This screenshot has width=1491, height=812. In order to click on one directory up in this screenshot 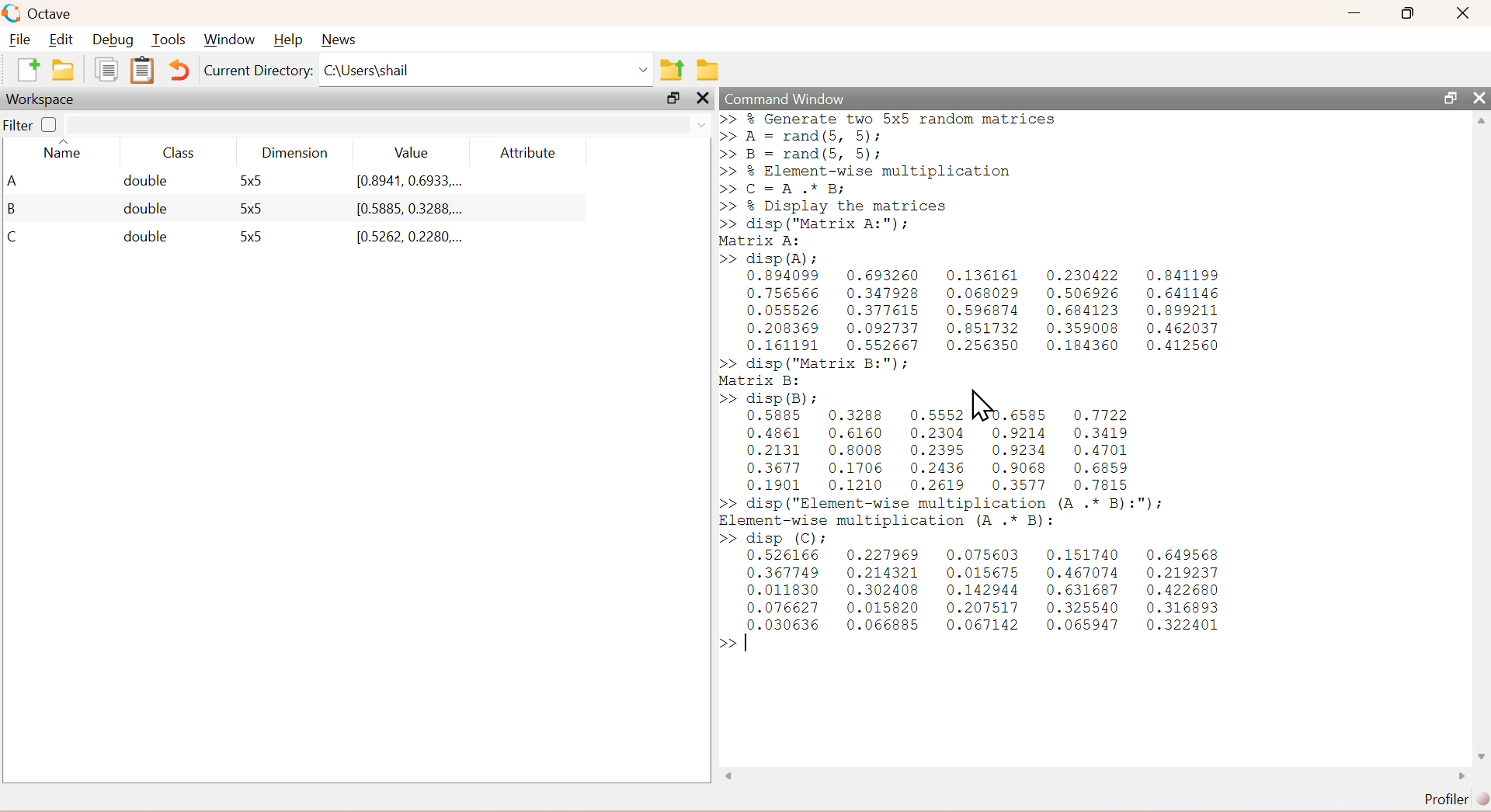, I will do `click(671, 70)`.